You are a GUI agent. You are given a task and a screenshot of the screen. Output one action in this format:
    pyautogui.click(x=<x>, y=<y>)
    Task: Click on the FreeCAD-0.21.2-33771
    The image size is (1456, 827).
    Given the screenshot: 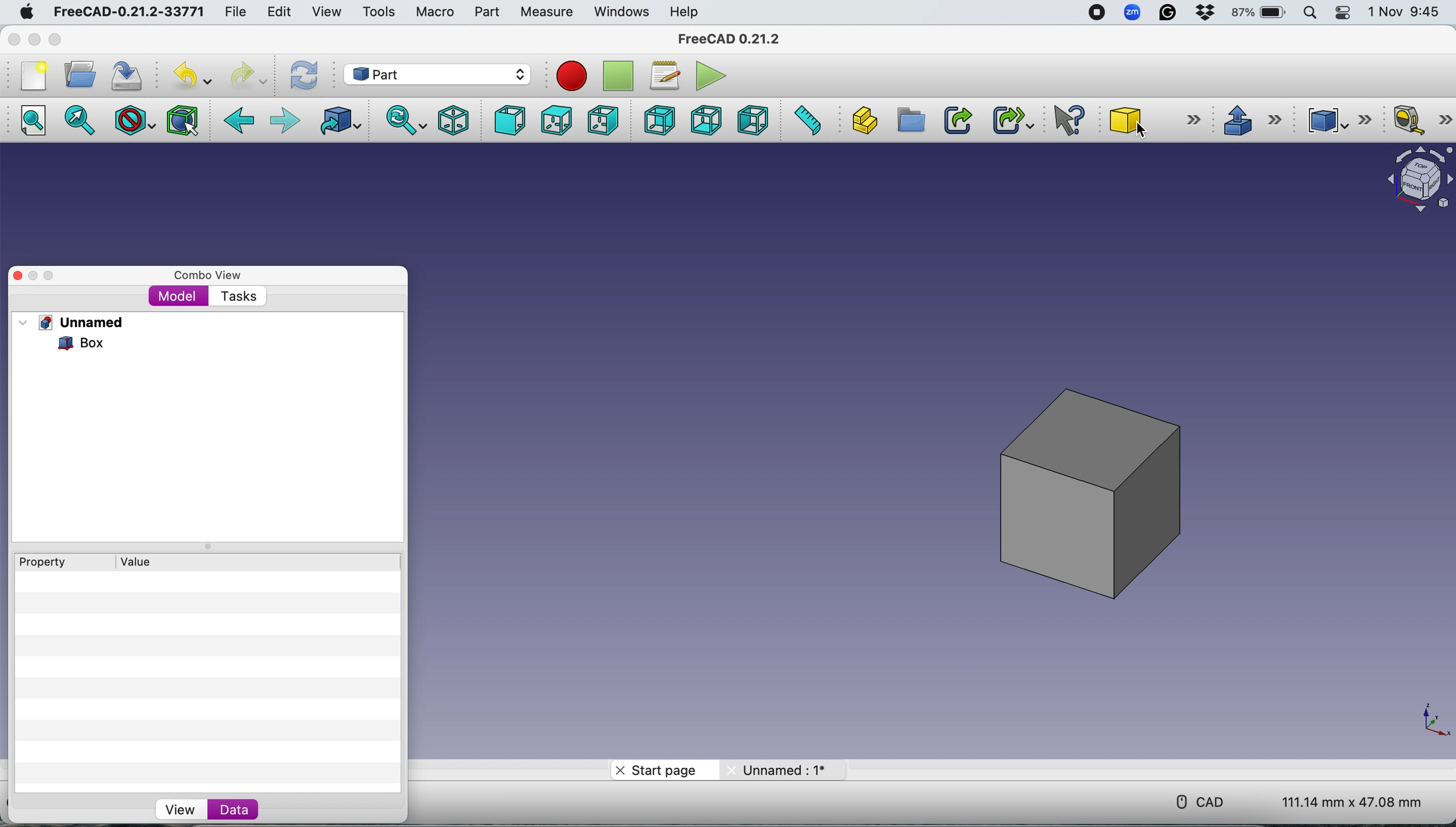 What is the action you would take?
    pyautogui.click(x=128, y=12)
    